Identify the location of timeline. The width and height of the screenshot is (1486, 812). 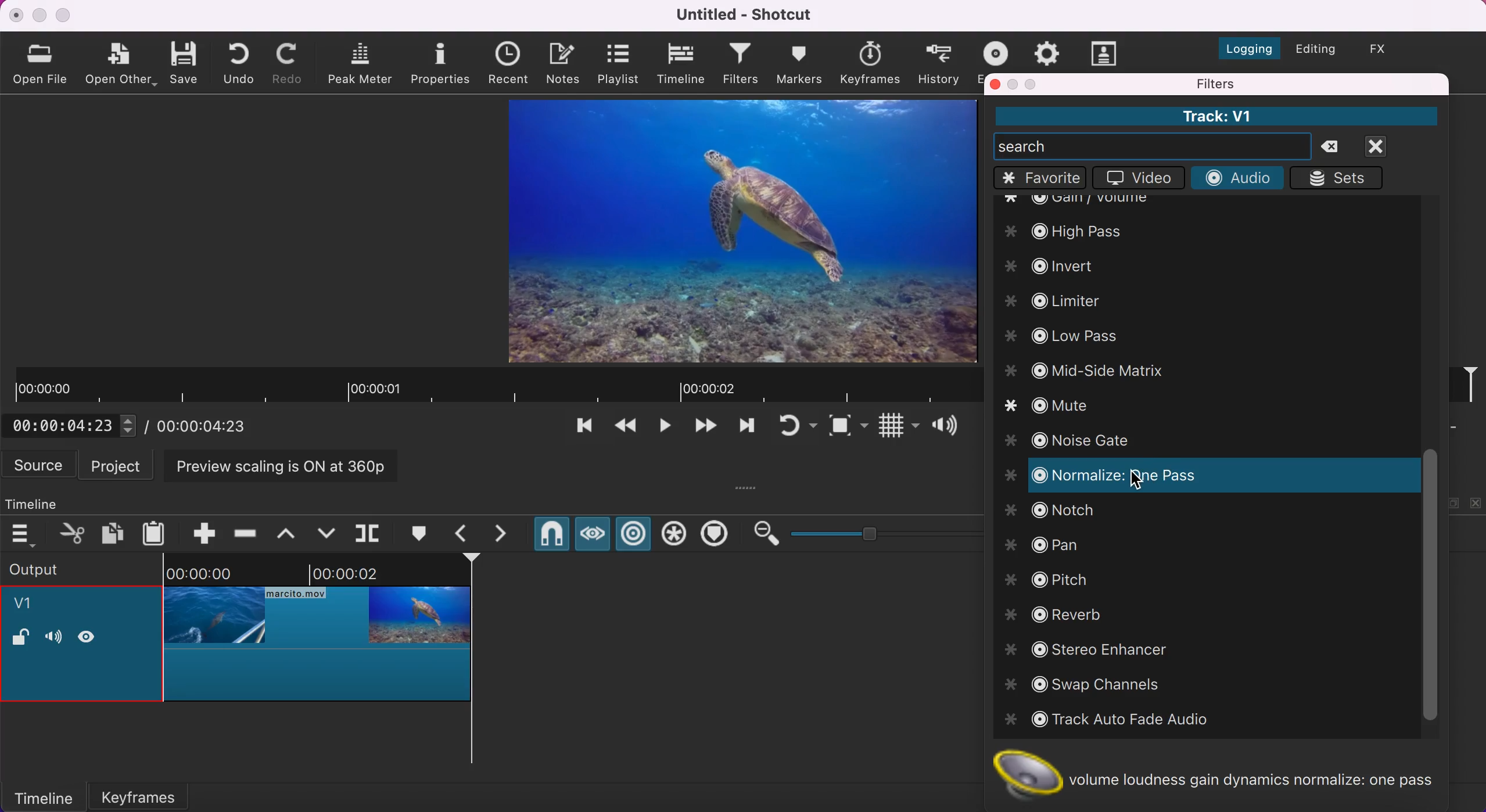
(44, 501).